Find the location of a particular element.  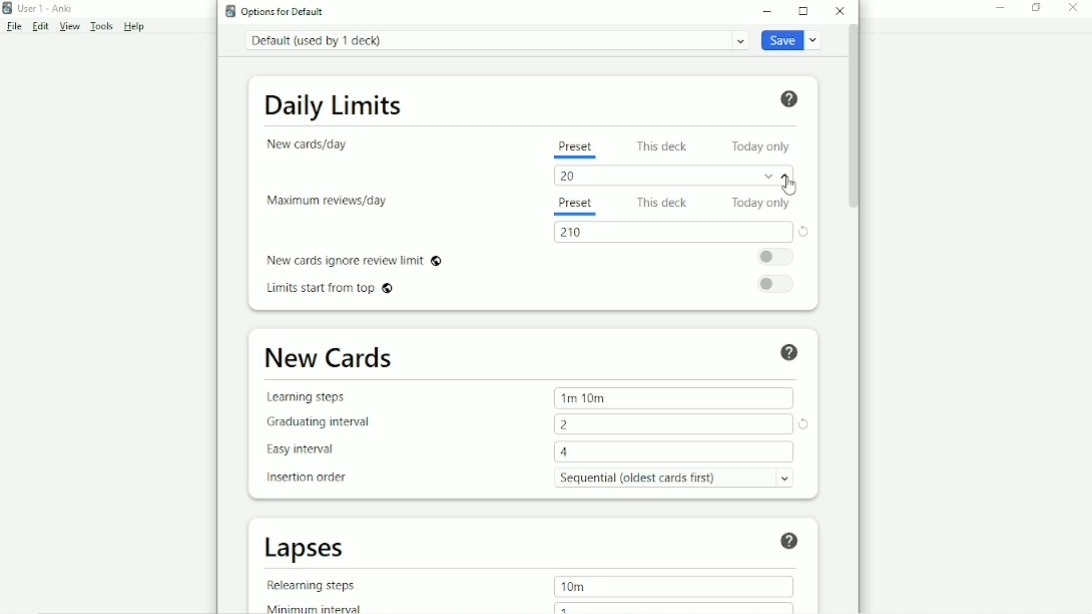

This deck is located at coordinates (664, 204).